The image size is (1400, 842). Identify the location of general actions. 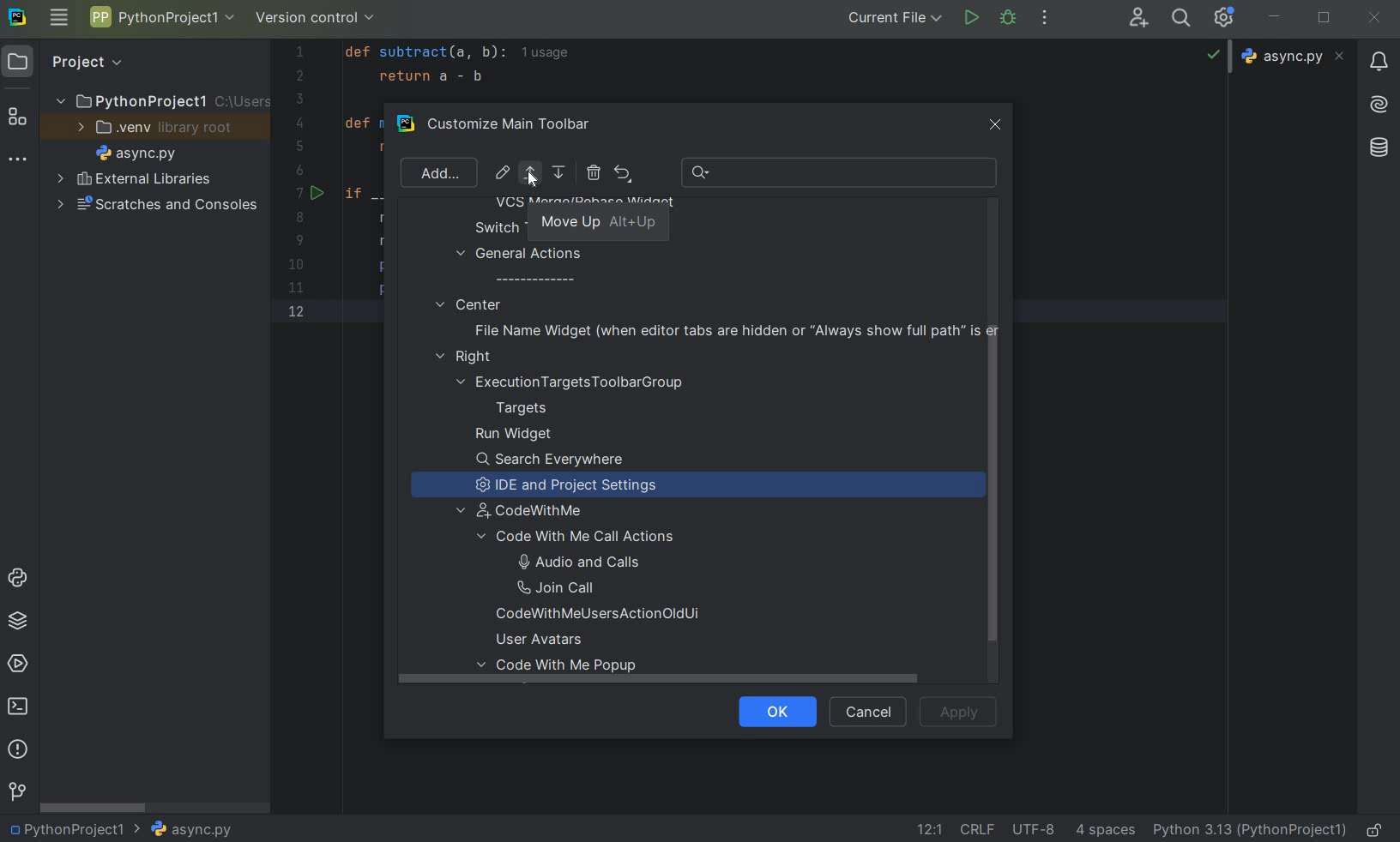
(520, 266).